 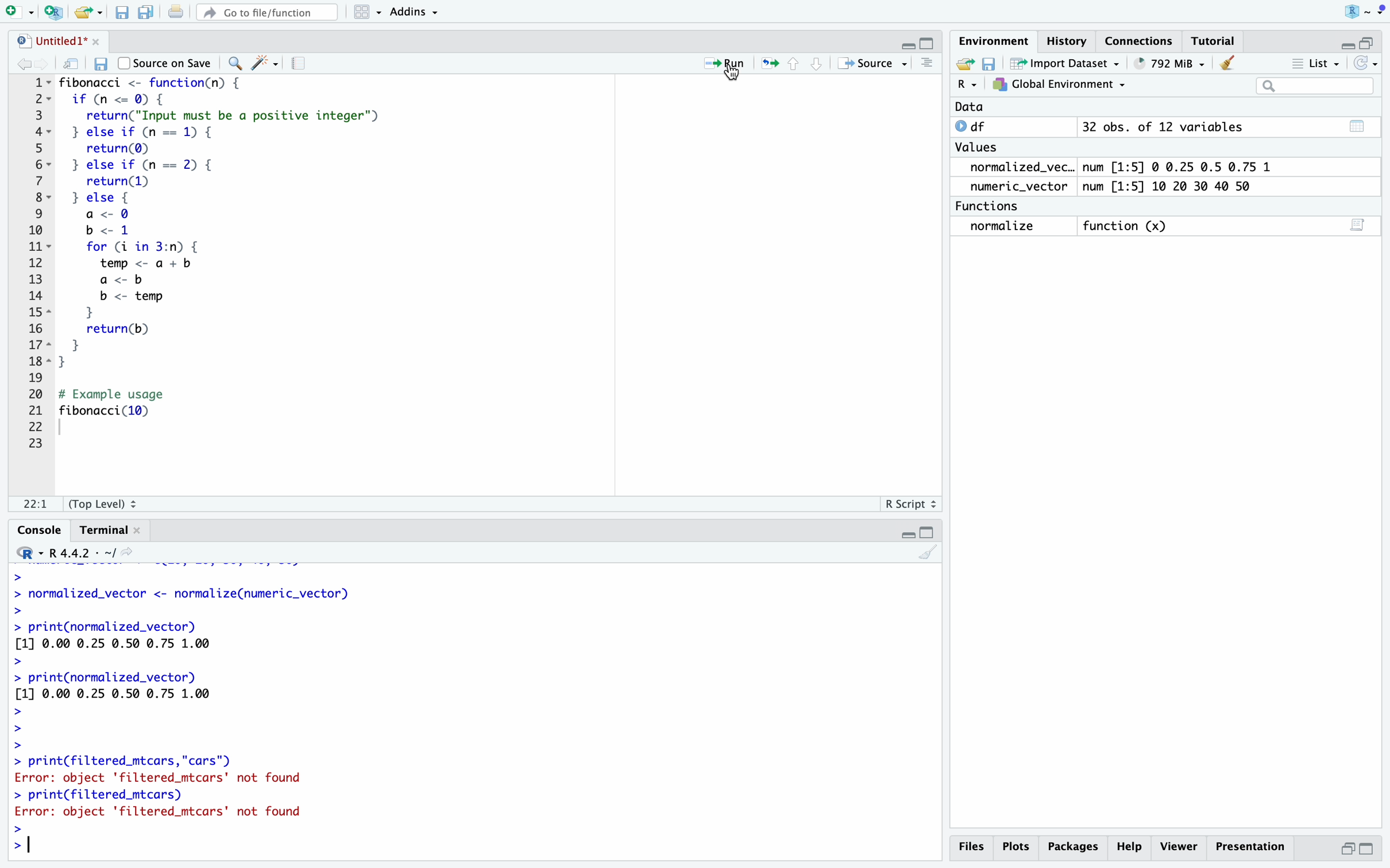 I want to click on RStudio, so click(x=1364, y=13).